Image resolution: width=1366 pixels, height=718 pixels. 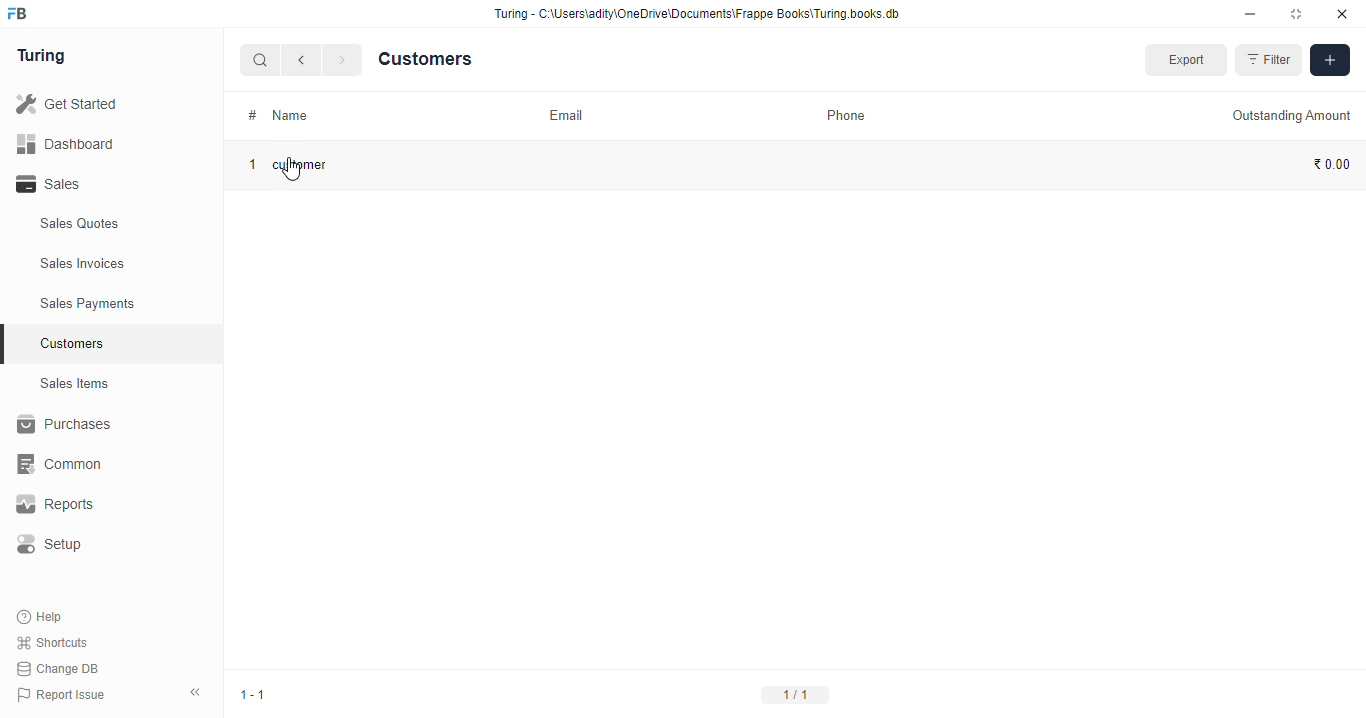 I want to click on Report Issue, so click(x=65, y=693).